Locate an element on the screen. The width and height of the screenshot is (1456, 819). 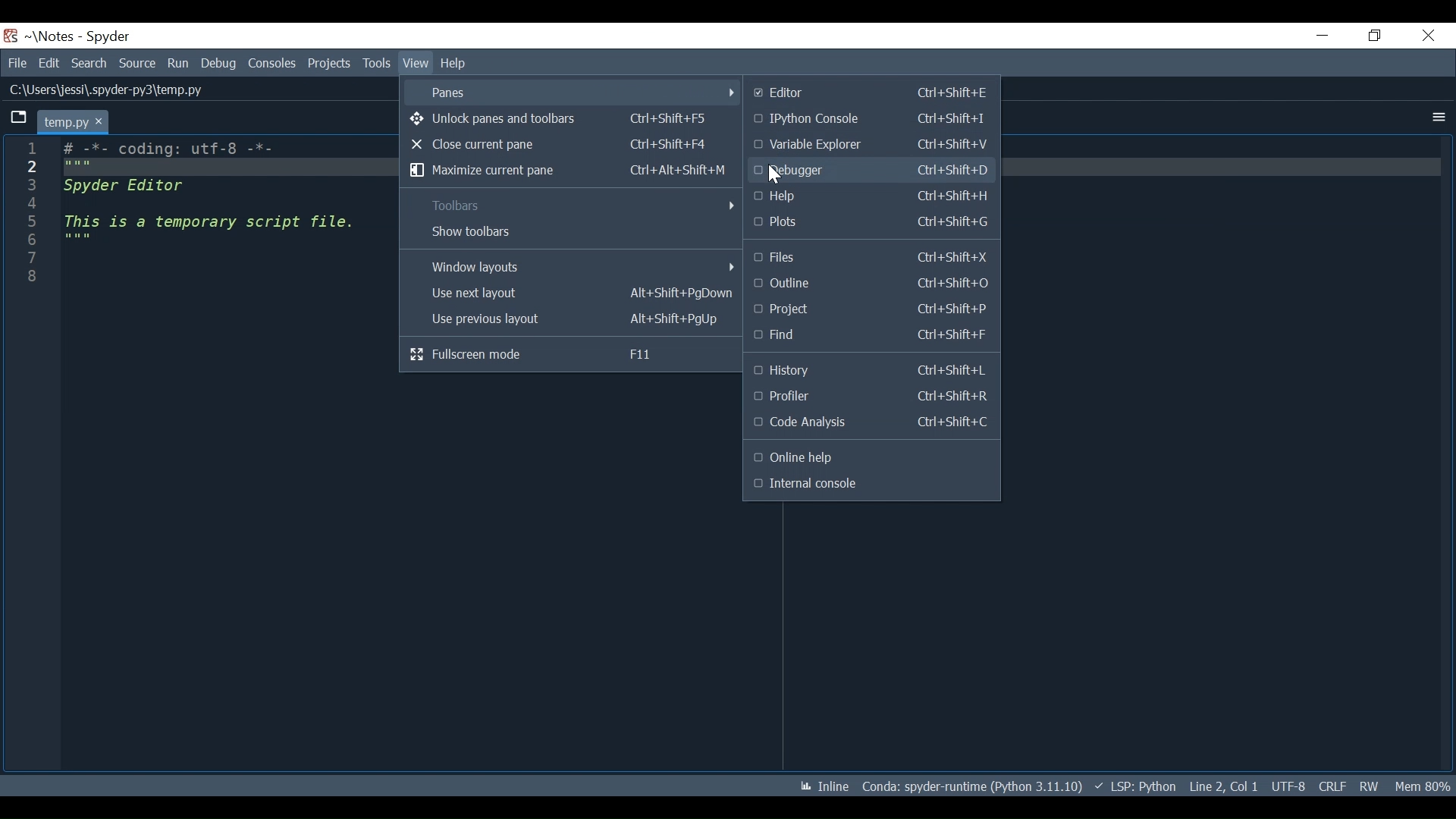
Run is located at coordinates (179, 63).